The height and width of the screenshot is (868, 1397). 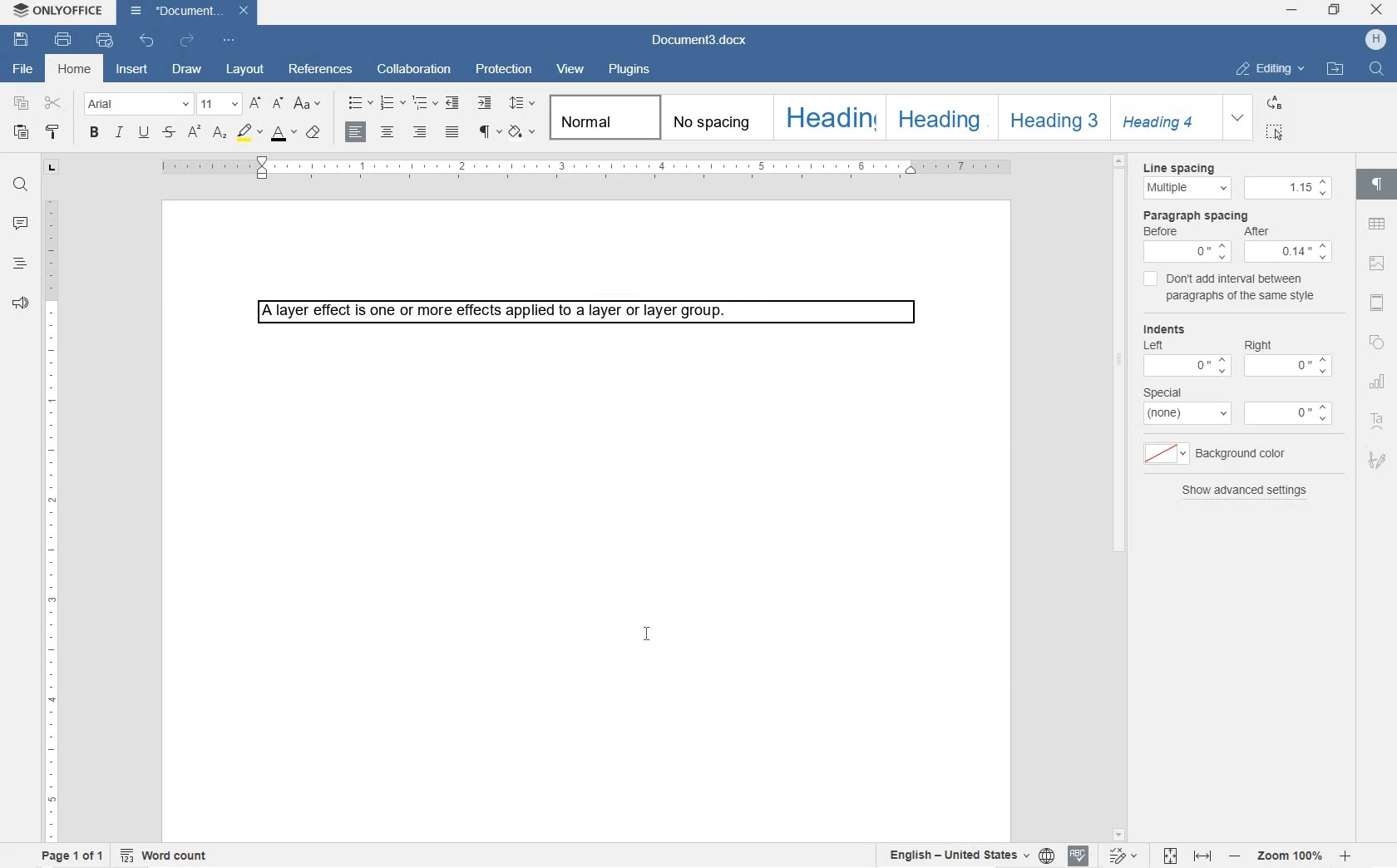 What do you see at coordinates (1376, 381) in the screenshot?
I see `CHART` at bounding box center [1376, 381].